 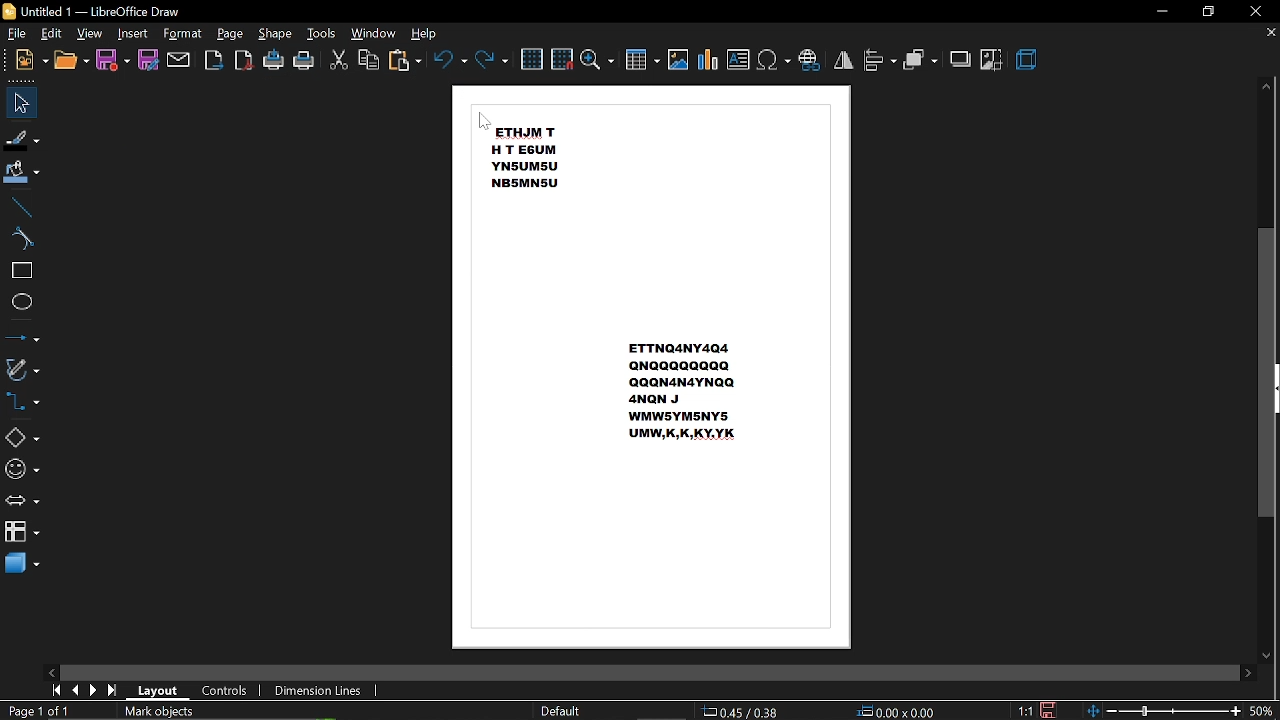 What do you see at coordinates (708, 60) in the screenshot?
I see `insert chart` at bounding box center [708, 60].